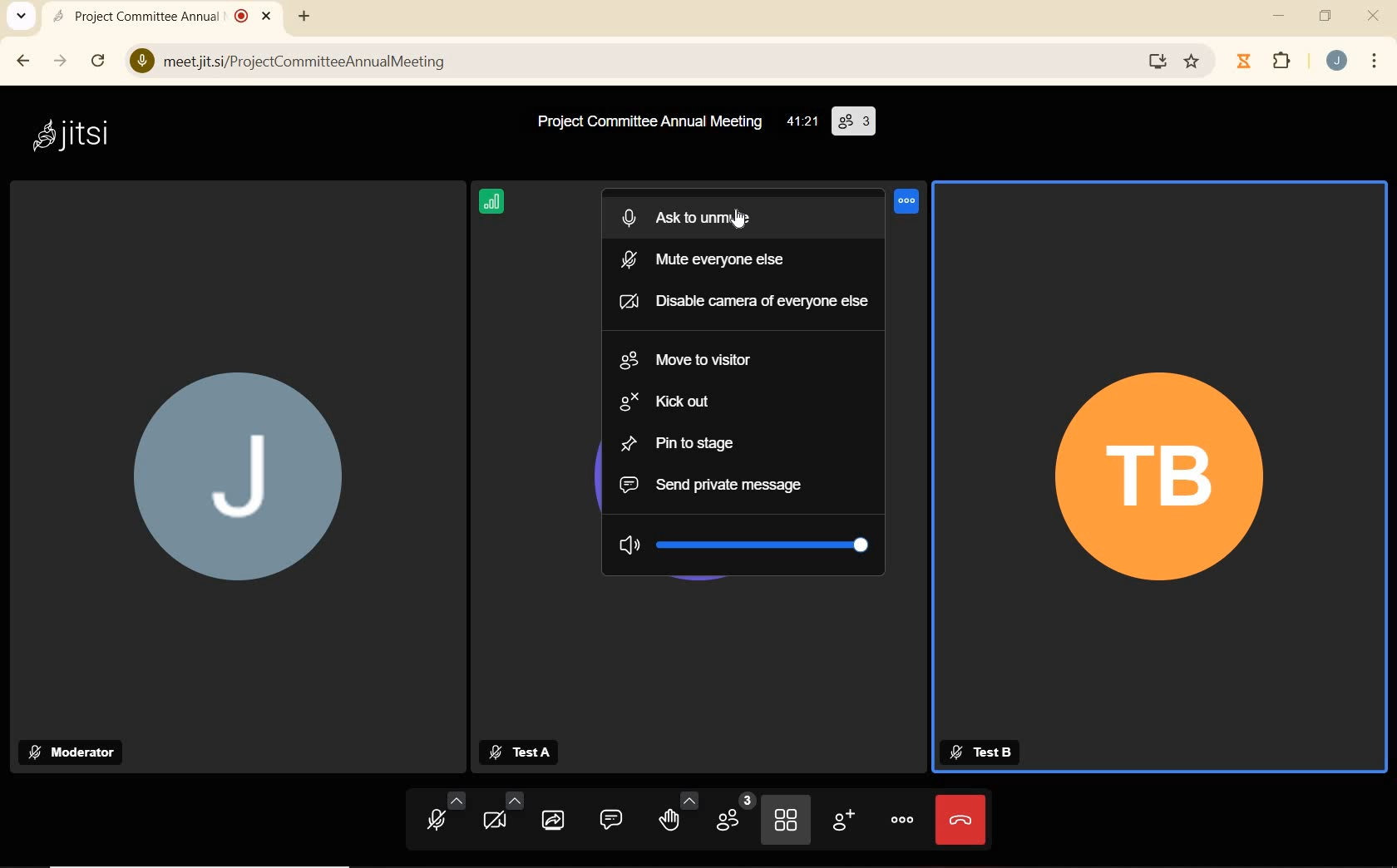 This screenshot has height=868, width=1397. I want to click on RAISE YOUR HAND, so click(675, 813).